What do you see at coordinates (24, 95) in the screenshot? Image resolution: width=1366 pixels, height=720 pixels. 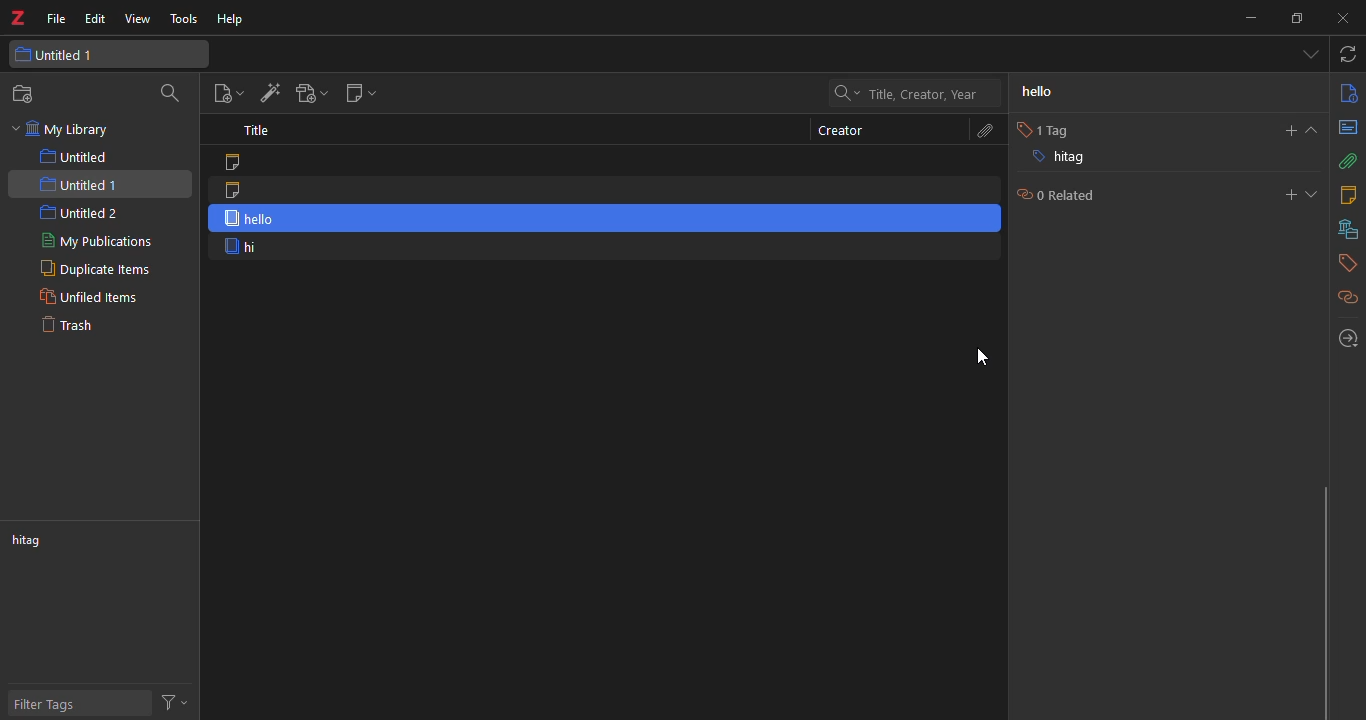 I see `new collection` at bounding box center [24, 95].